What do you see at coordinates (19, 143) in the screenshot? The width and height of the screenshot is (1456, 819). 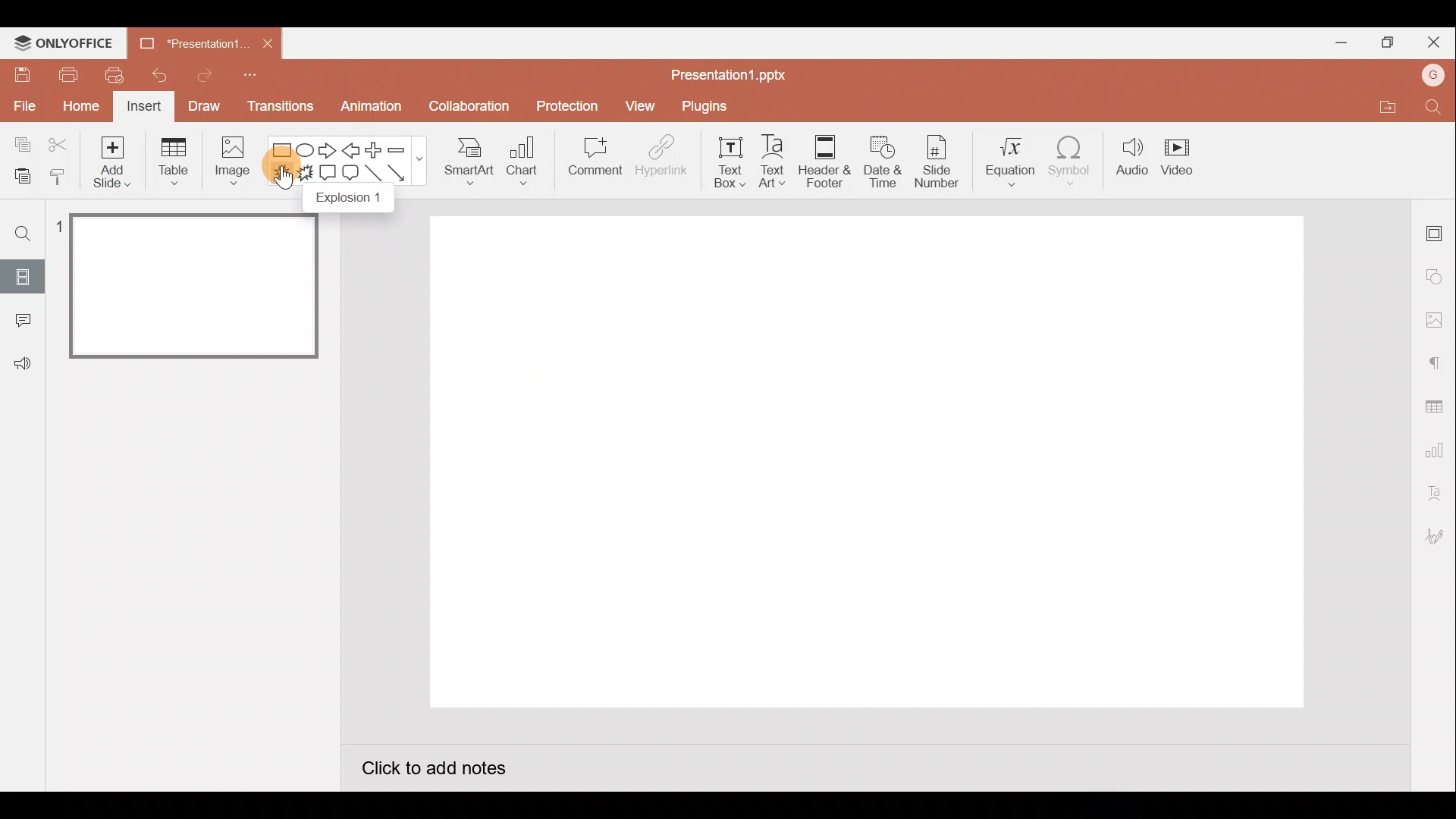 I see `Copy` at bounding box center [19, 143].